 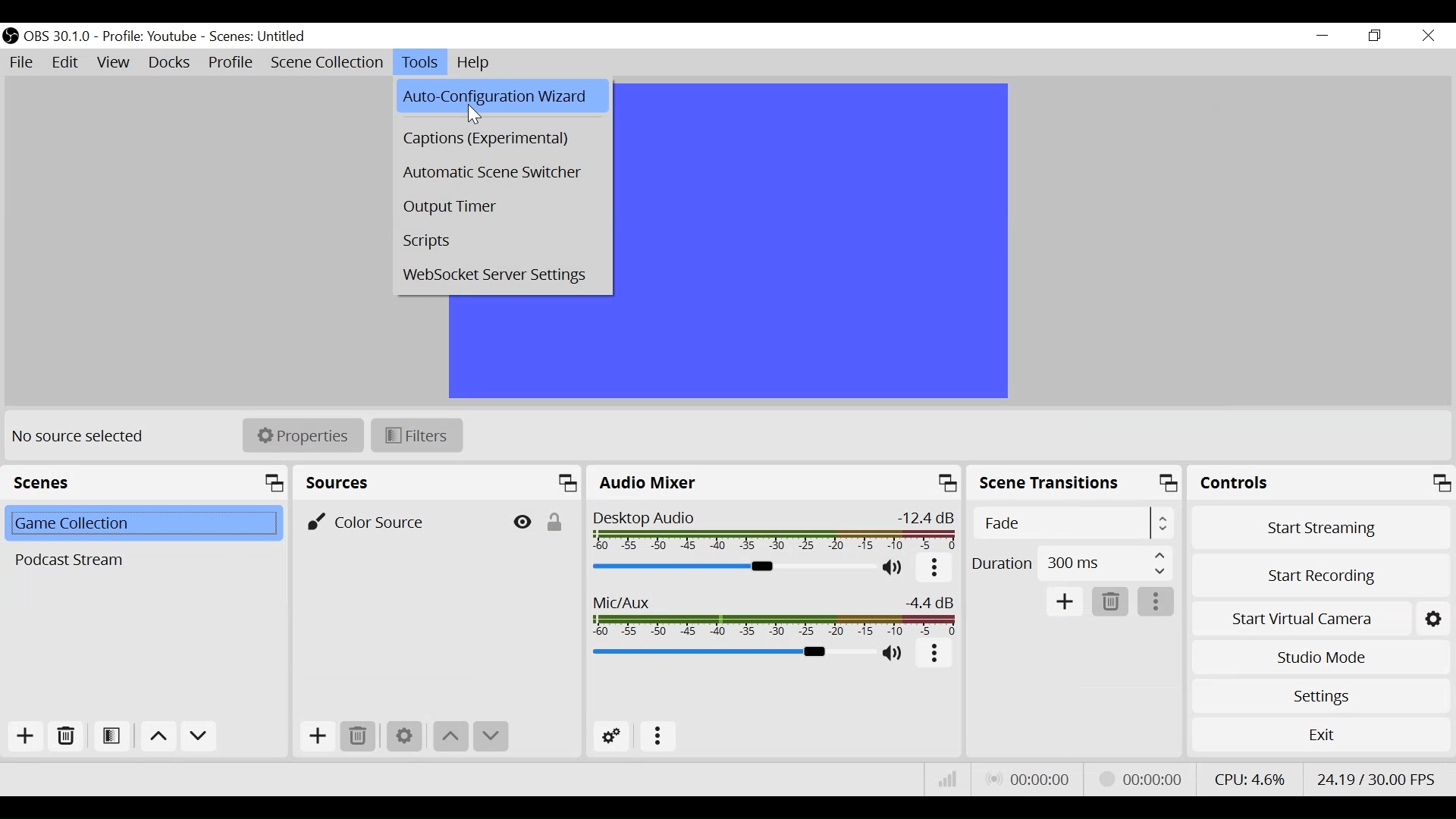 What do you see at coordinates (83, 438) in the screenshot?
I see `No source Selected` at bounding box center [83, 438].